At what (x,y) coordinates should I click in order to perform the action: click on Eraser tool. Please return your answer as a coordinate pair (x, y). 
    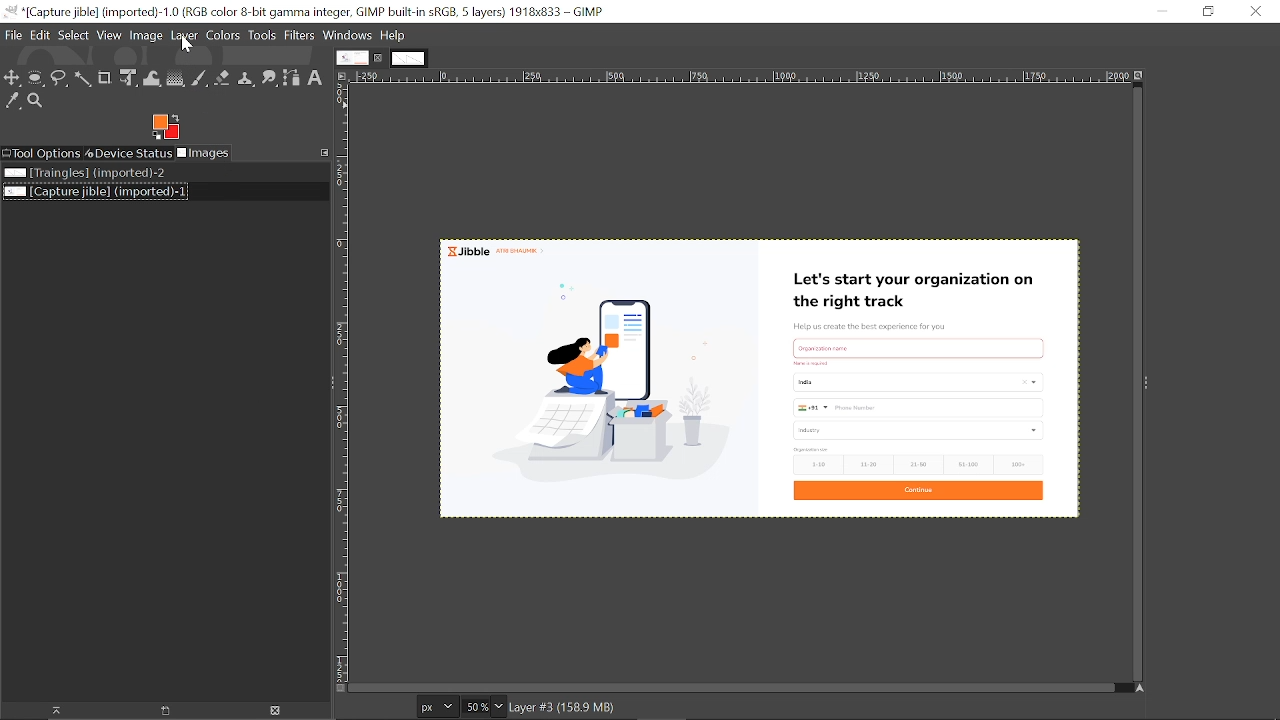
    Looking at the image, I should click on (224, 78).